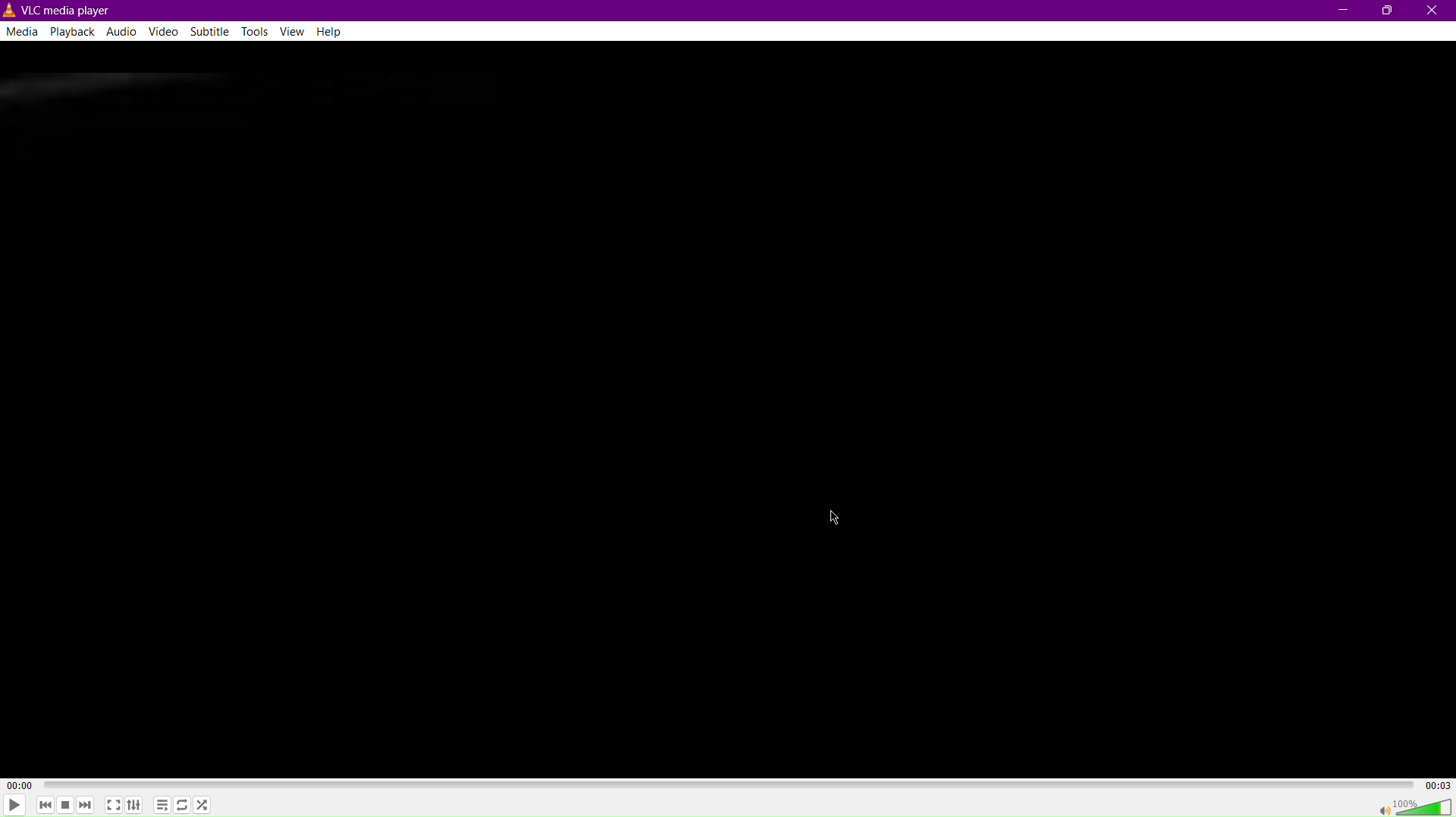 This screenshot has width=1456, height=817. Describe the element at coordinates (1426, 806) in the screenshot. I see `Volume` at that location.